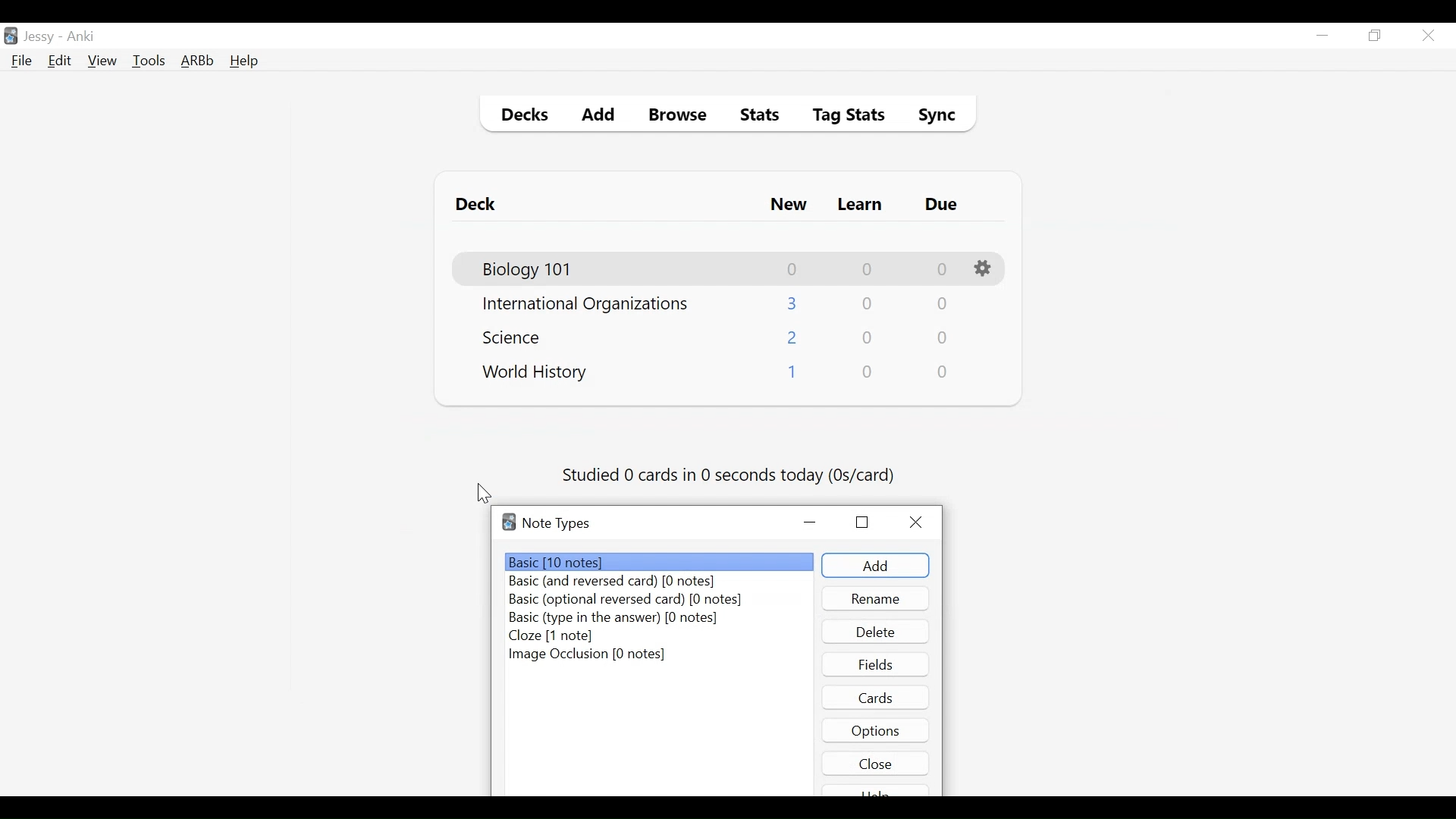 This screenshot has height=819, width=1456. Describe the element at coordinates (985, 269) in the screenshot. I see `Options` at that location.